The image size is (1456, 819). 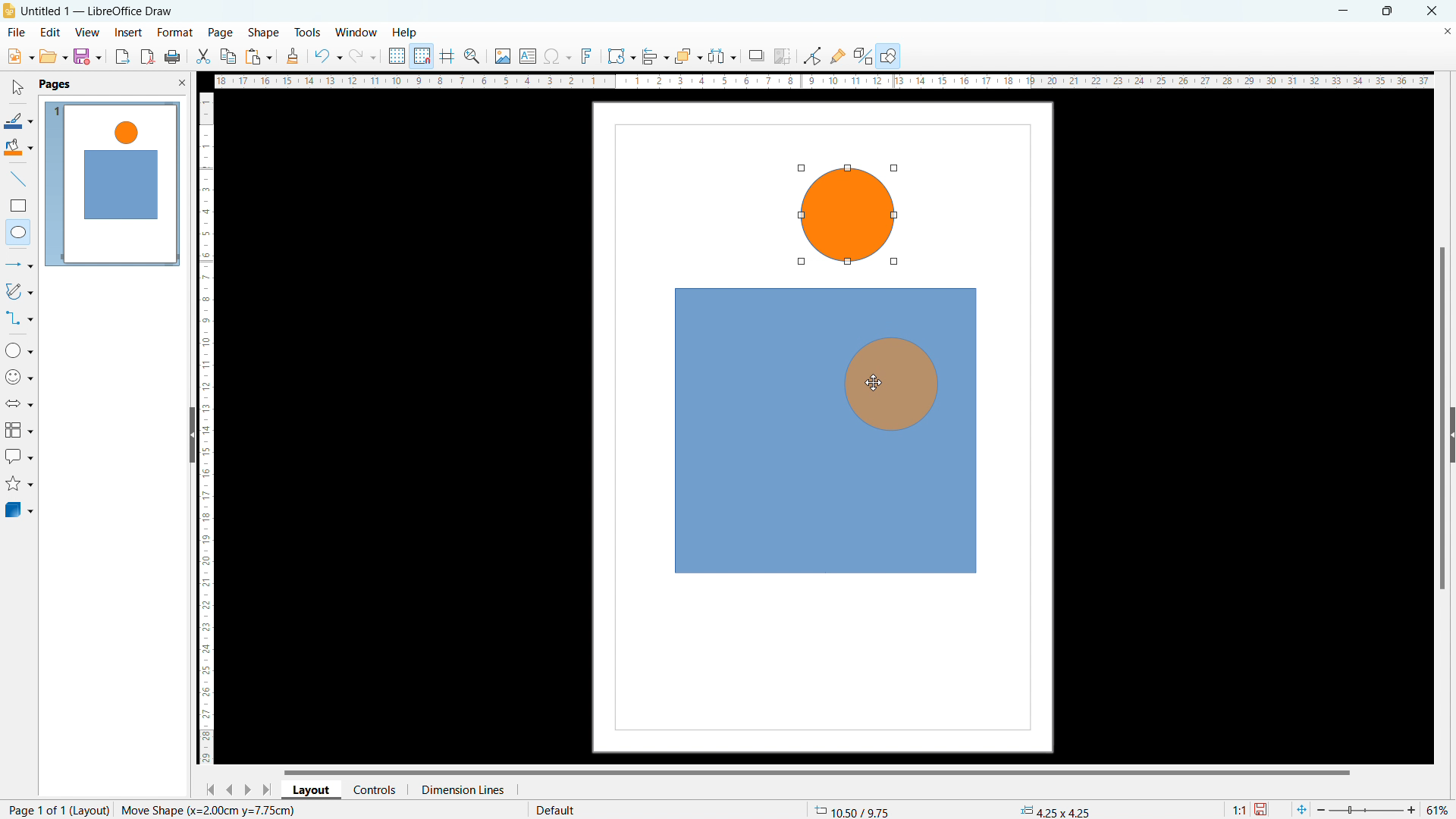 I want to click on close document, so click(x=1447, y=30).